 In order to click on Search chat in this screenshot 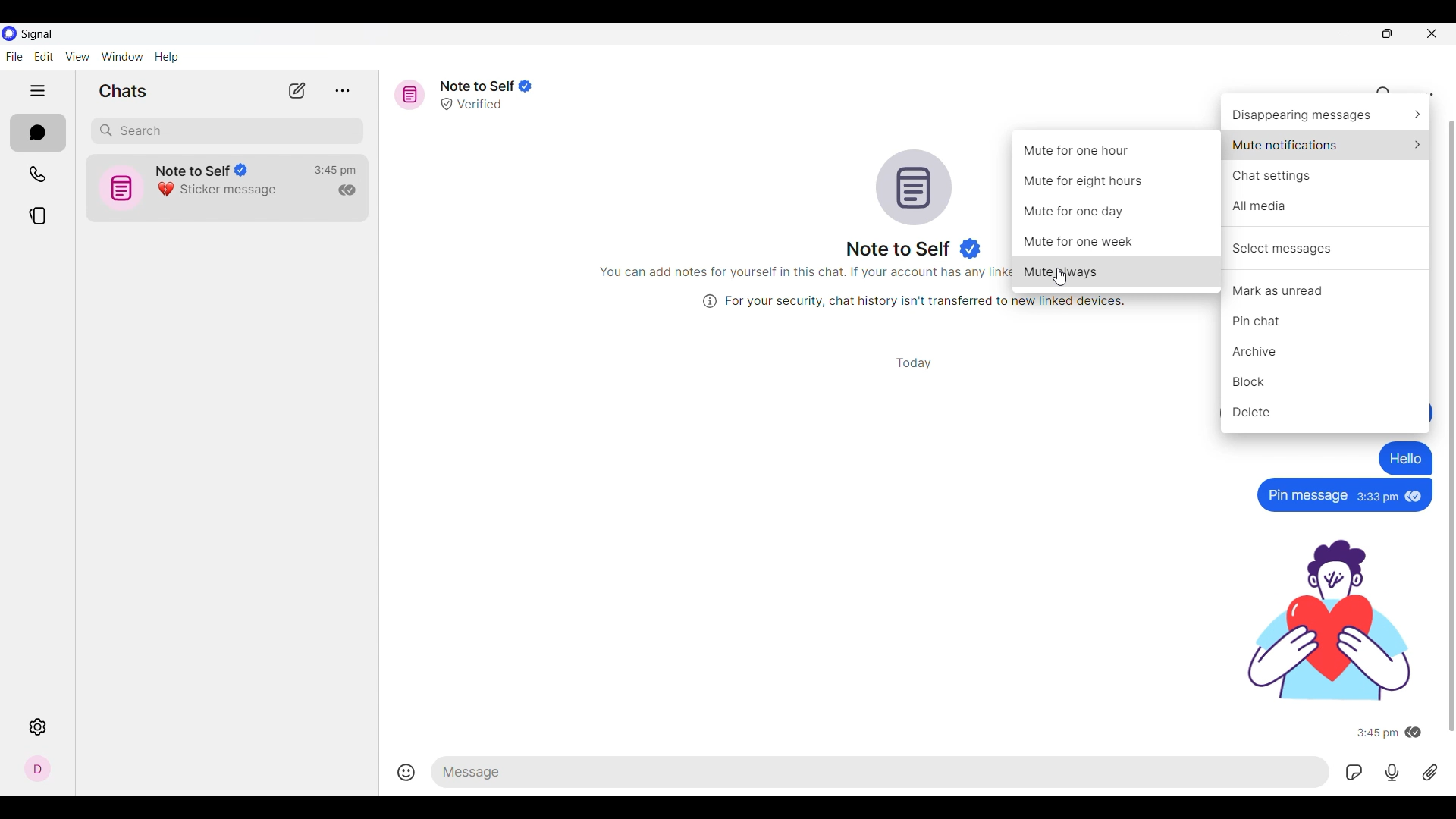, I will do `click(227, 130)`.